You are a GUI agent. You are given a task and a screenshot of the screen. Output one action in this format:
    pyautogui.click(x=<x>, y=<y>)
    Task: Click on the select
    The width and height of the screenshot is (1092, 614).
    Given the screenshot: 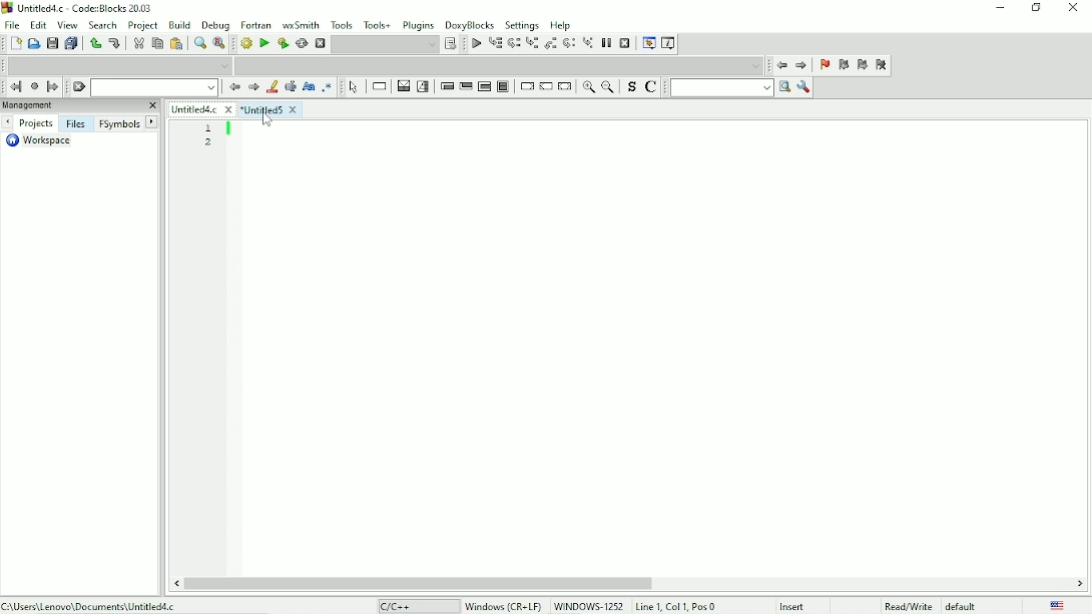 What is the action you would take?
    pyautogui.click(x=356, y=89)
    